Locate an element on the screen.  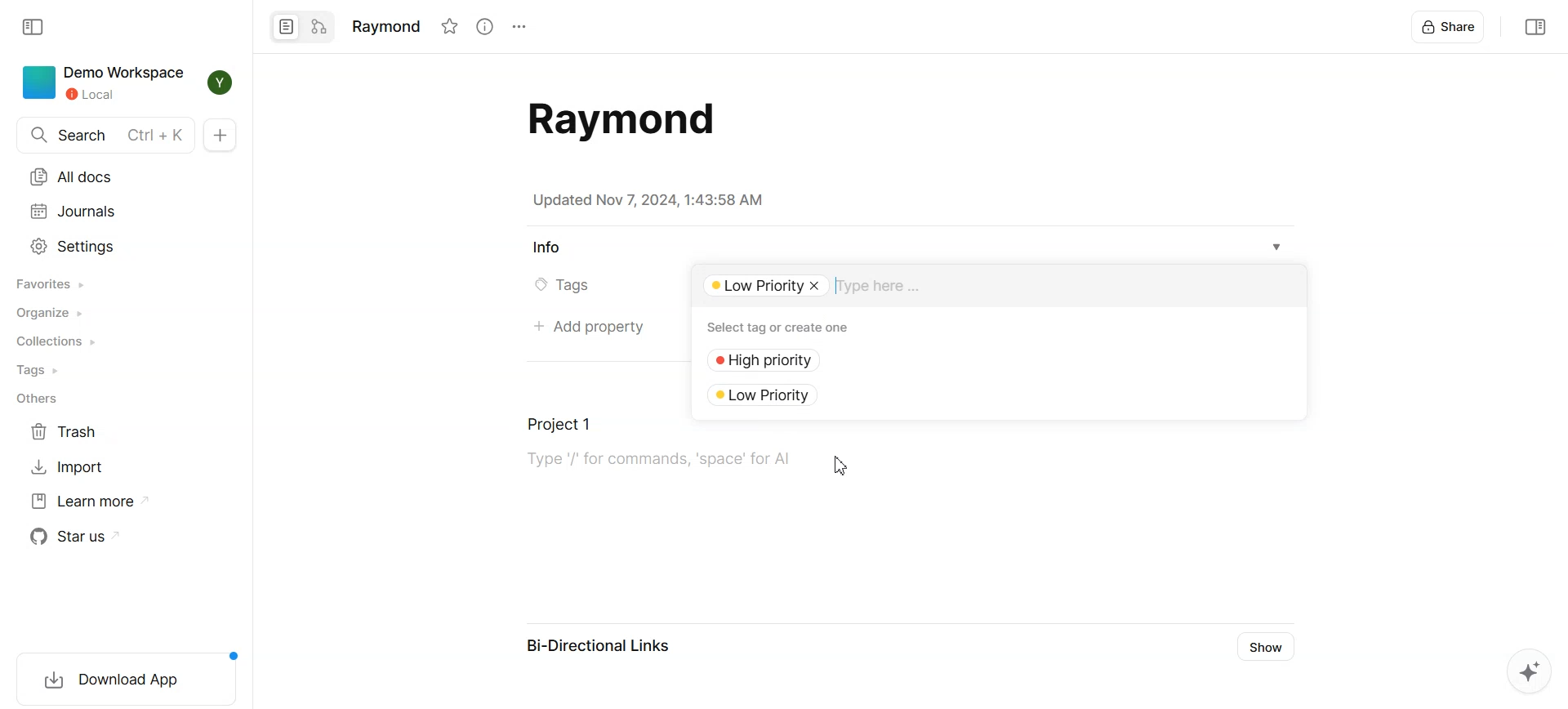
High priority tag is located at coordinates (773, 361).